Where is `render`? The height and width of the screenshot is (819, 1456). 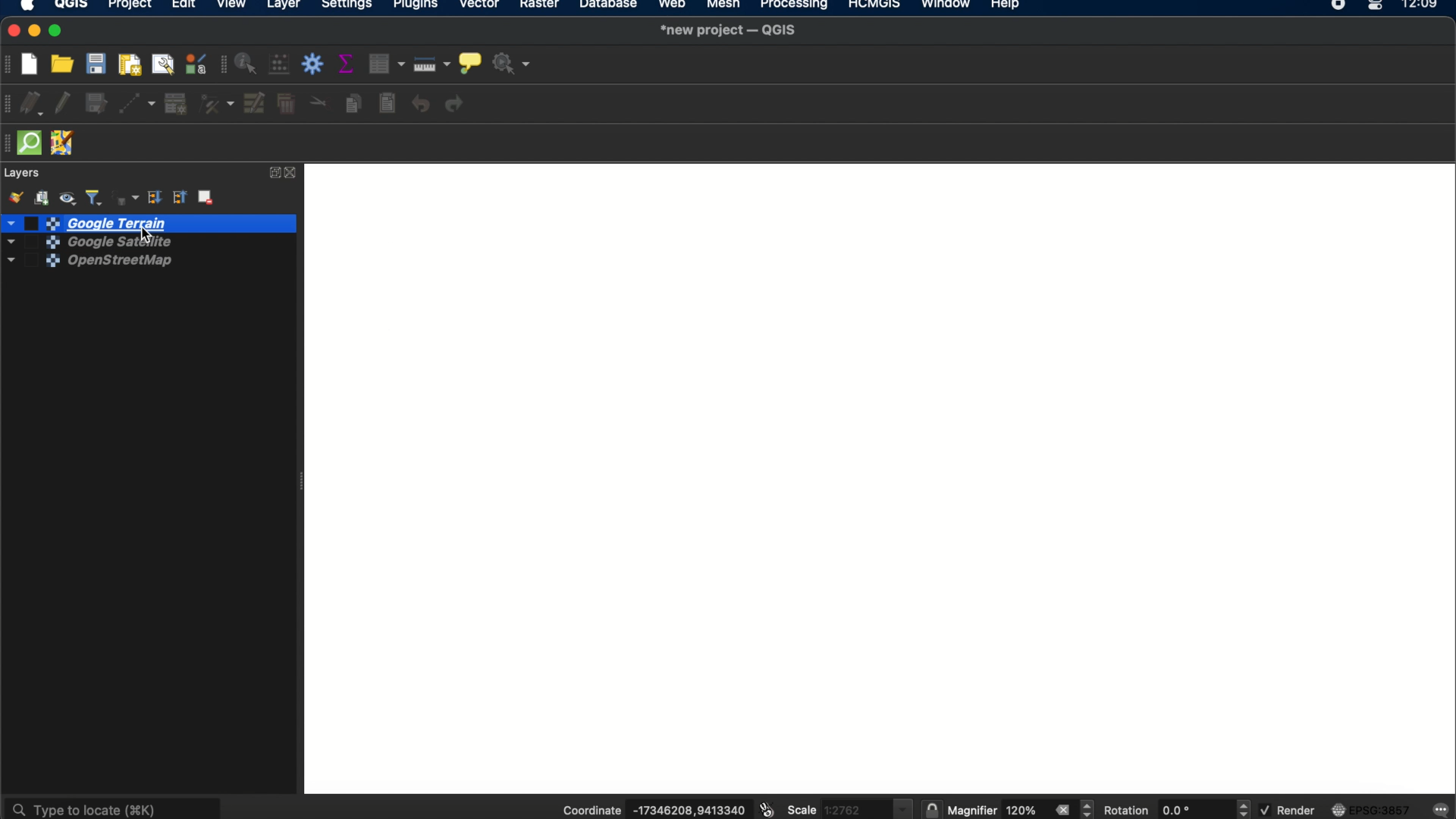 render is located at coordinates (1287, 810).